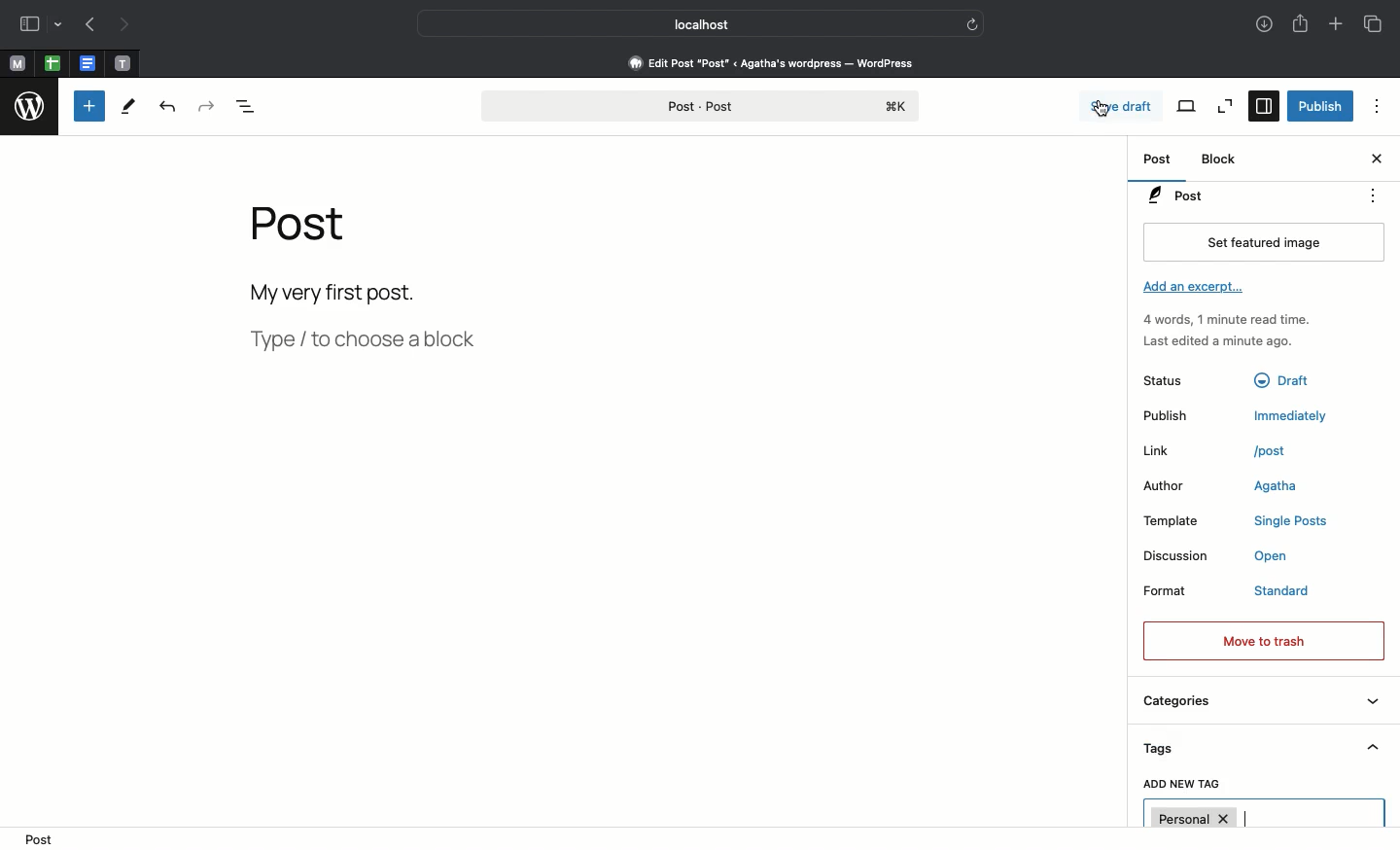 This screenshot has height=850, width=1400. I want to click on options, so click(1374, 195).